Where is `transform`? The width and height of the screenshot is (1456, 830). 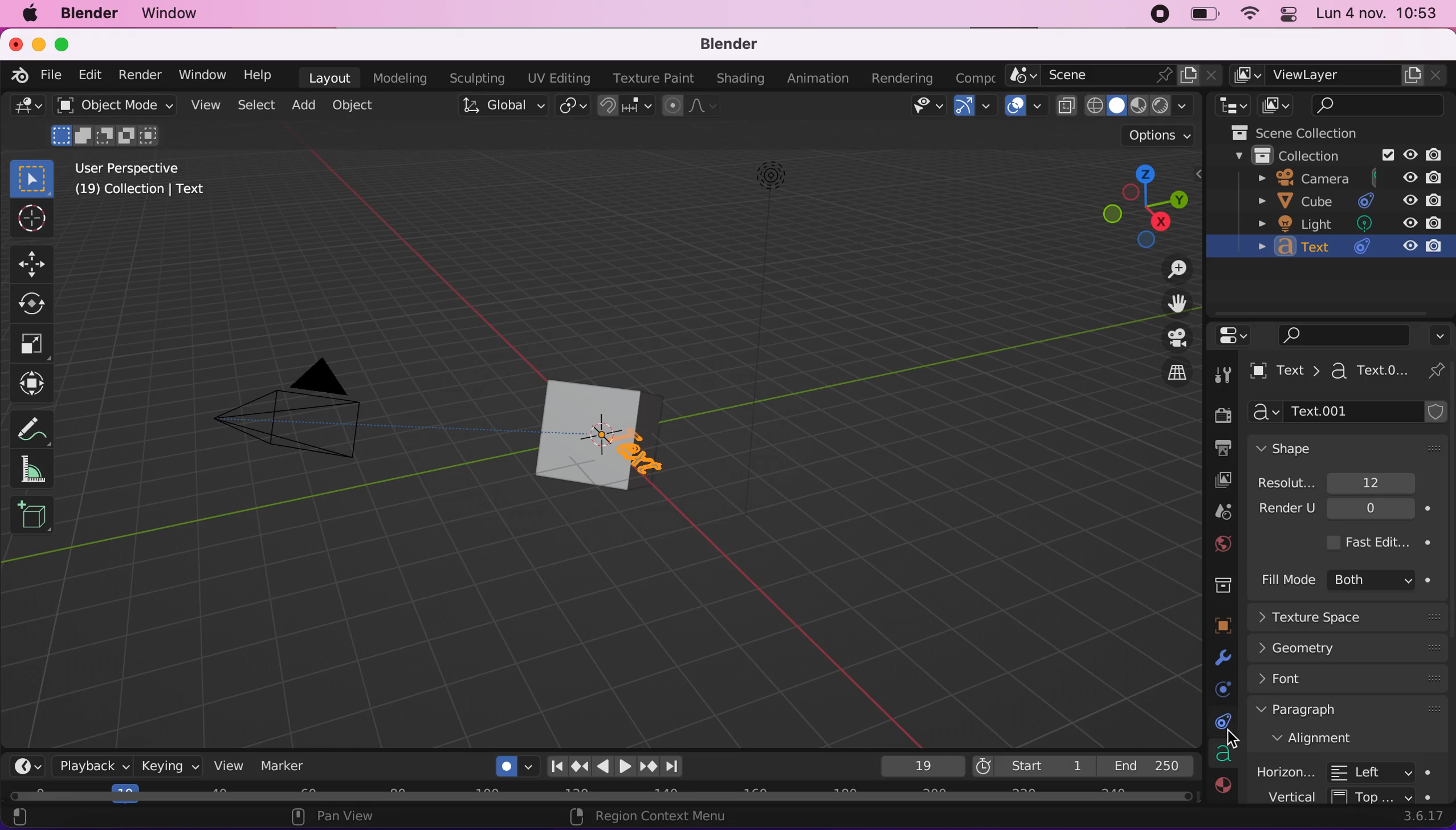 transform is located at coordinates (31, 385).